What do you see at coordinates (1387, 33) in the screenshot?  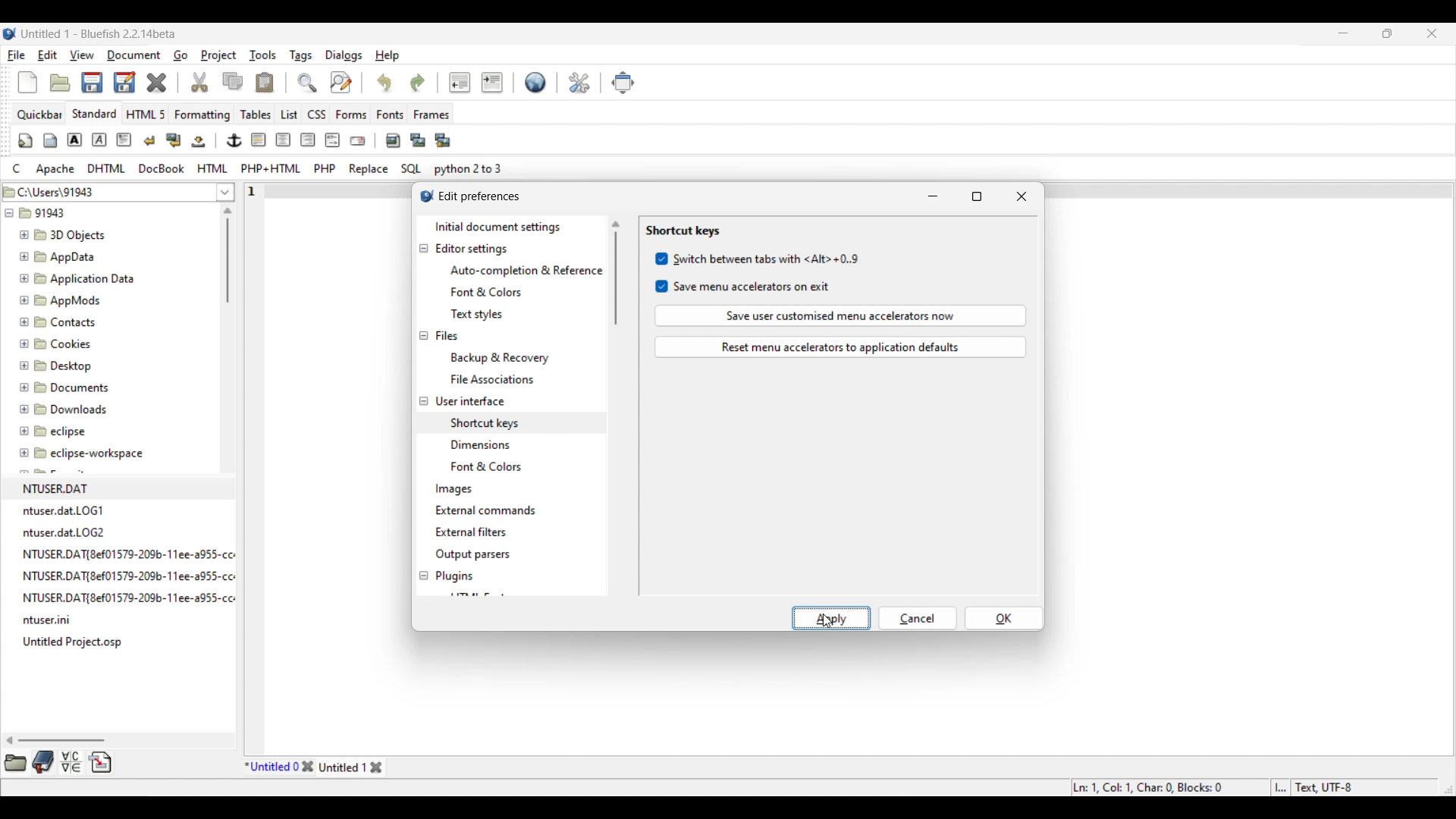 I see `Show in smaller tab` at bounding box center [1387, 33].